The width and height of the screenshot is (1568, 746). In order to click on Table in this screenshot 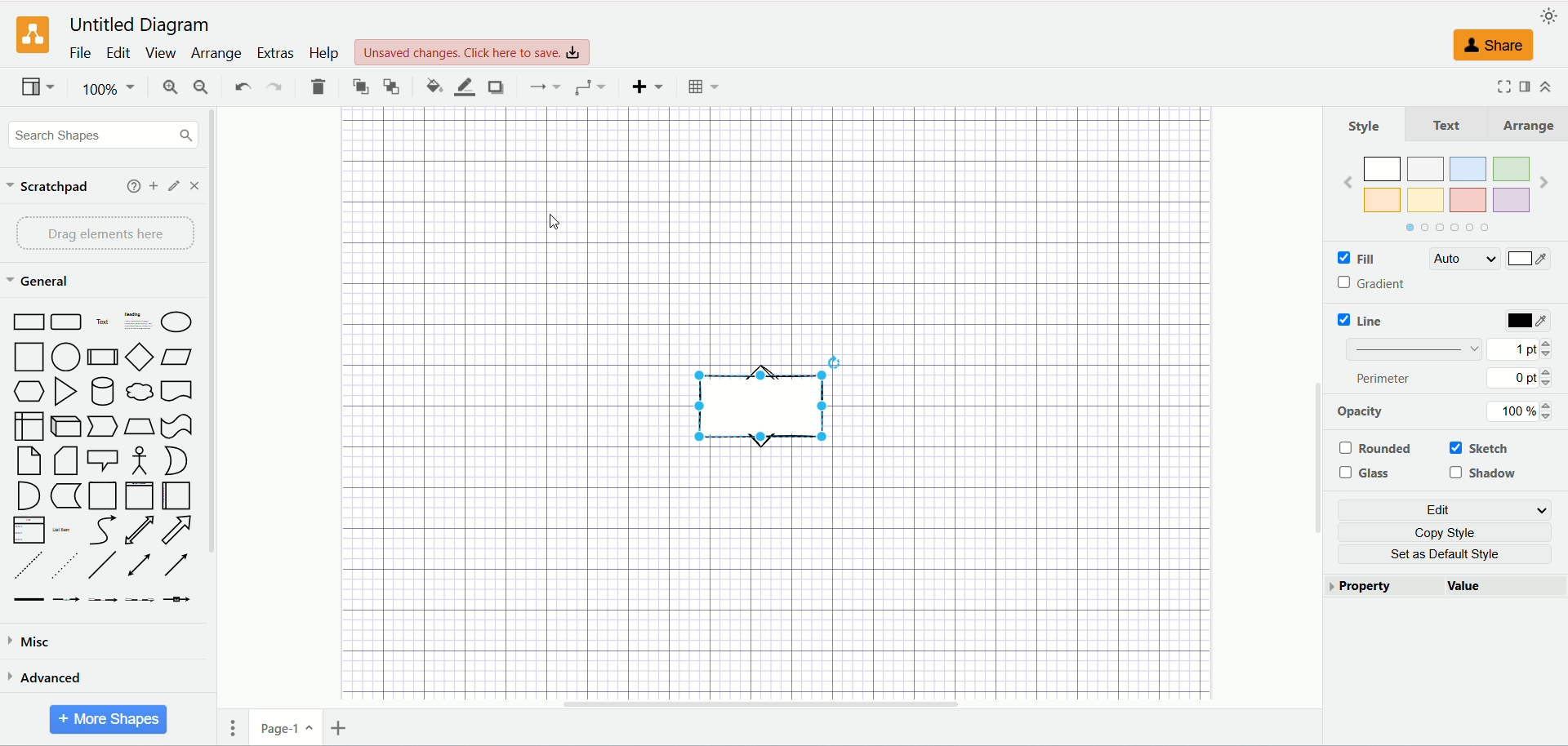, I will do `click(702, 87)`.